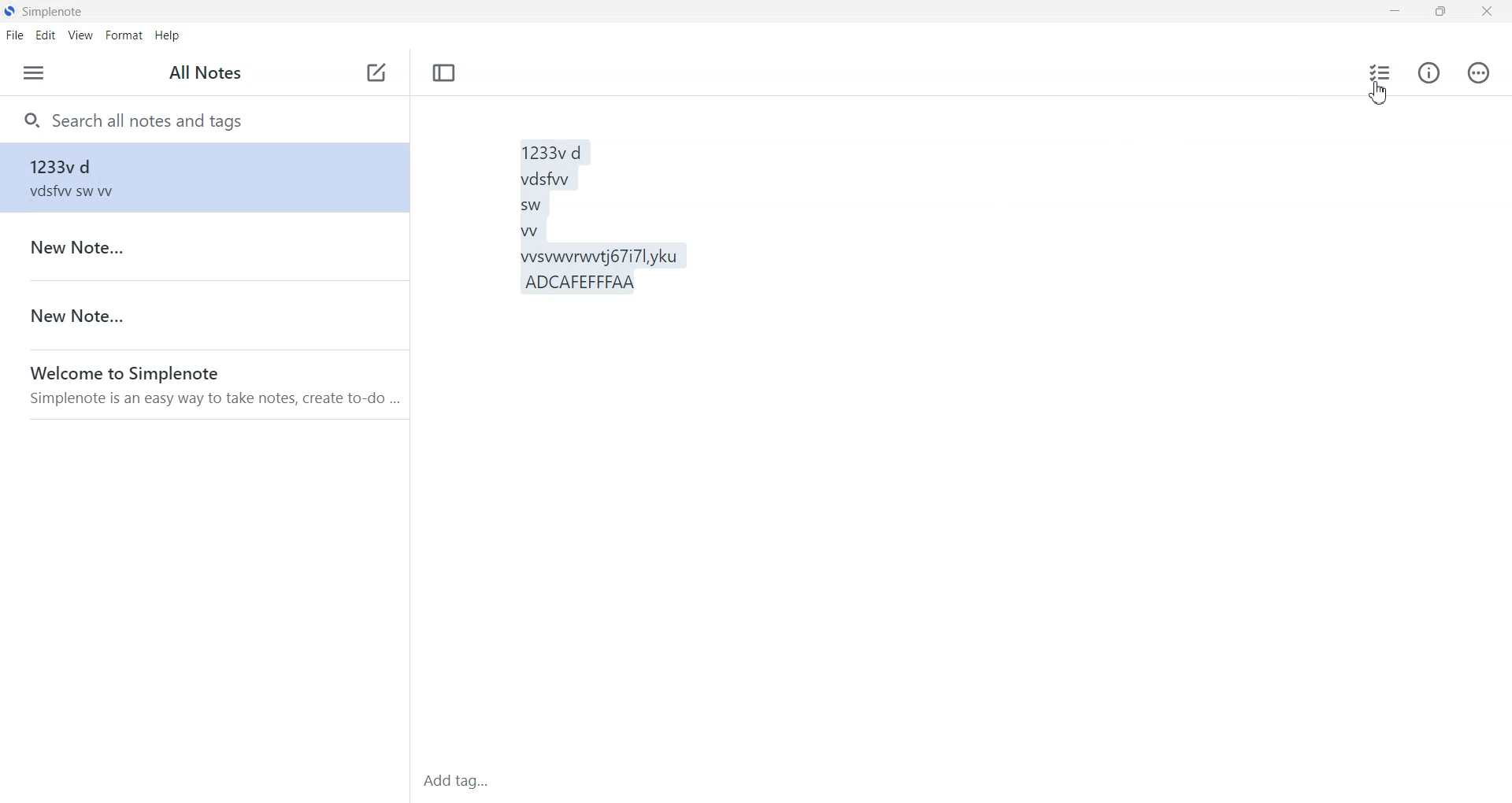 This screenshot has height=803, width=1512. Describe the element at coordinates (1378, 72) in the screenshot. I see `Insert checklist` at that location.